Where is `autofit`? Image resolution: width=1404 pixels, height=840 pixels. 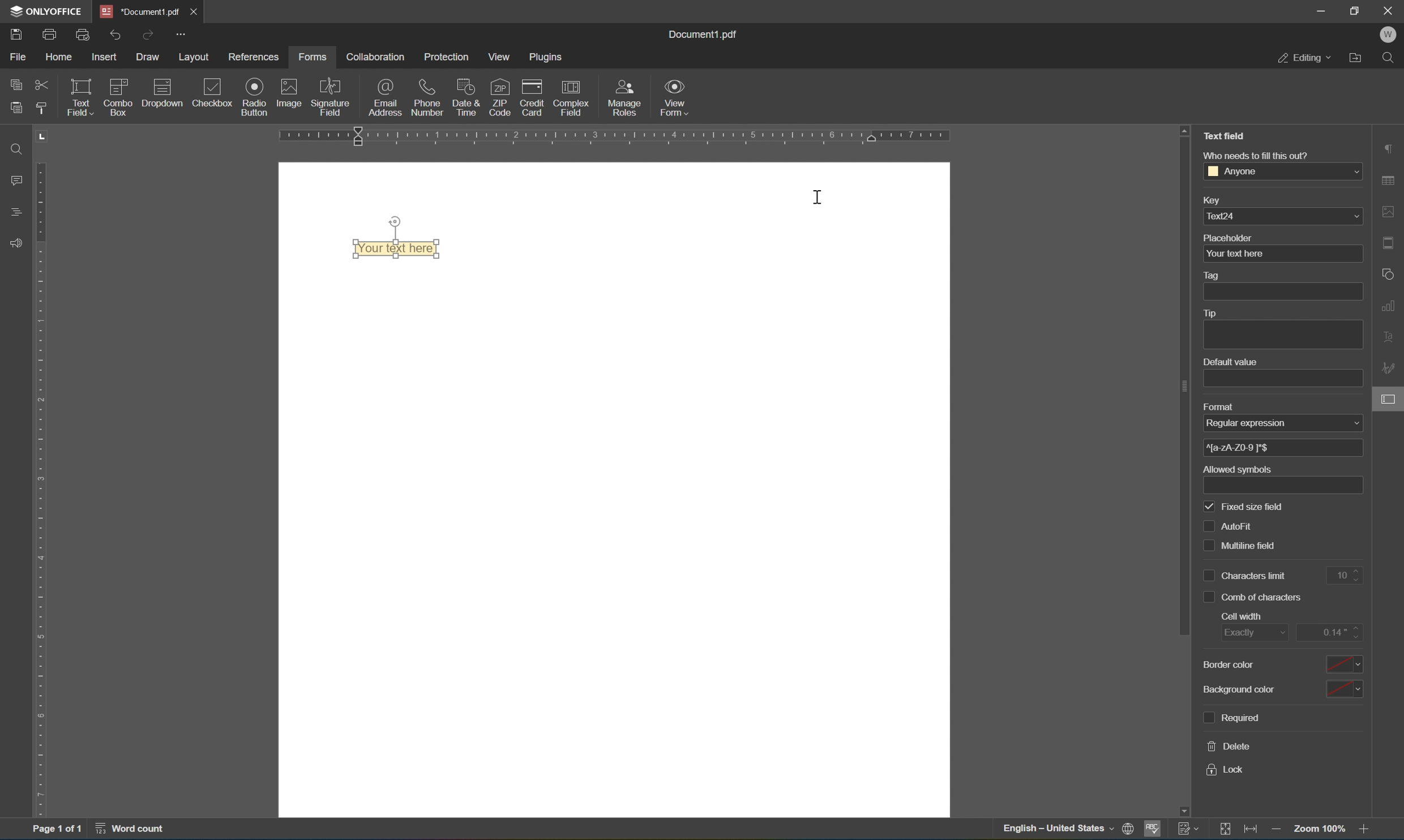 autofit is located at coordinates (1232, 526).